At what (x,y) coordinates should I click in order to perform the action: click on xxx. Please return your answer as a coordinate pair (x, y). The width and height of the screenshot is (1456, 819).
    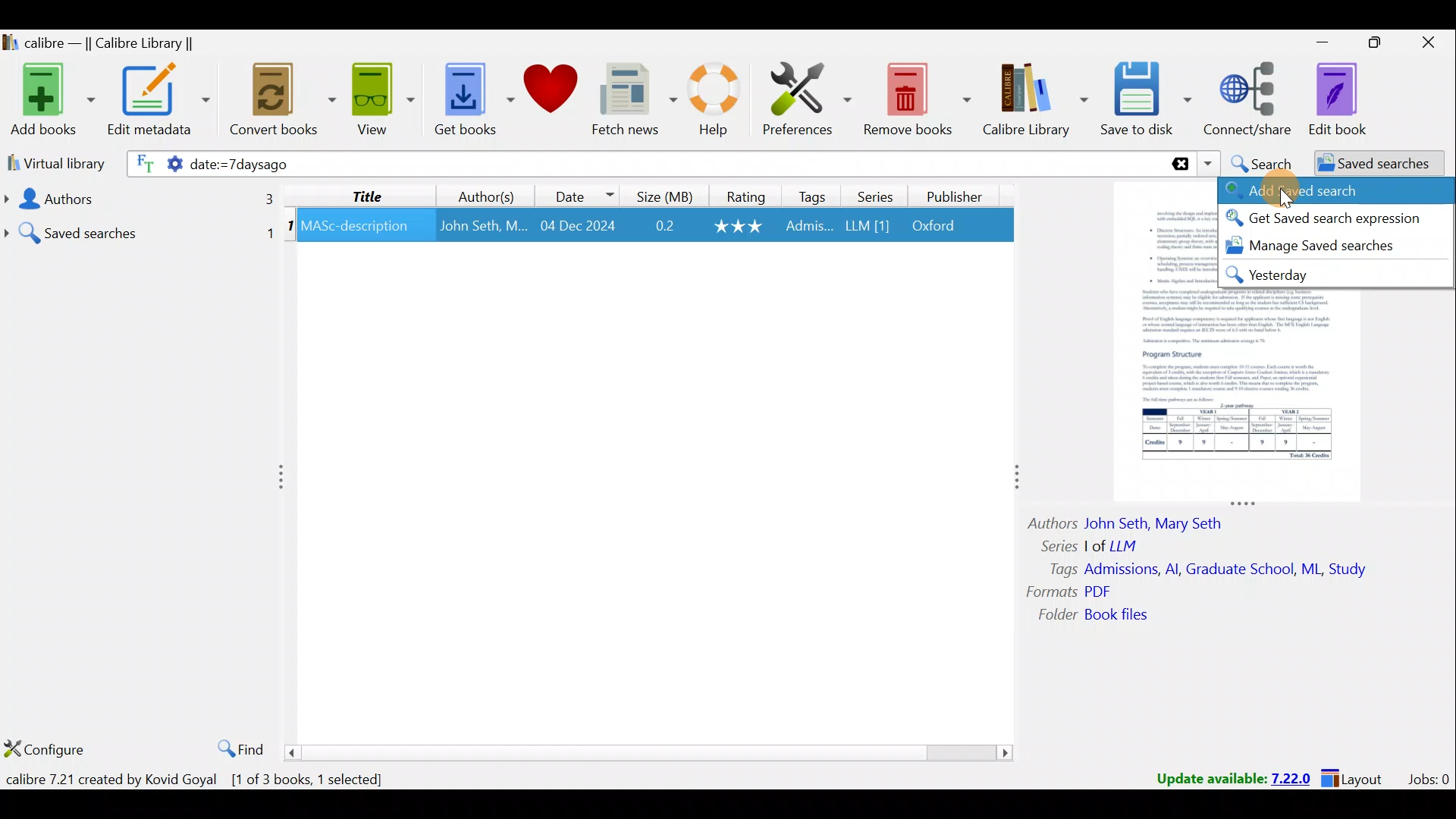
    Looking at the image, I should click on (740, 226).